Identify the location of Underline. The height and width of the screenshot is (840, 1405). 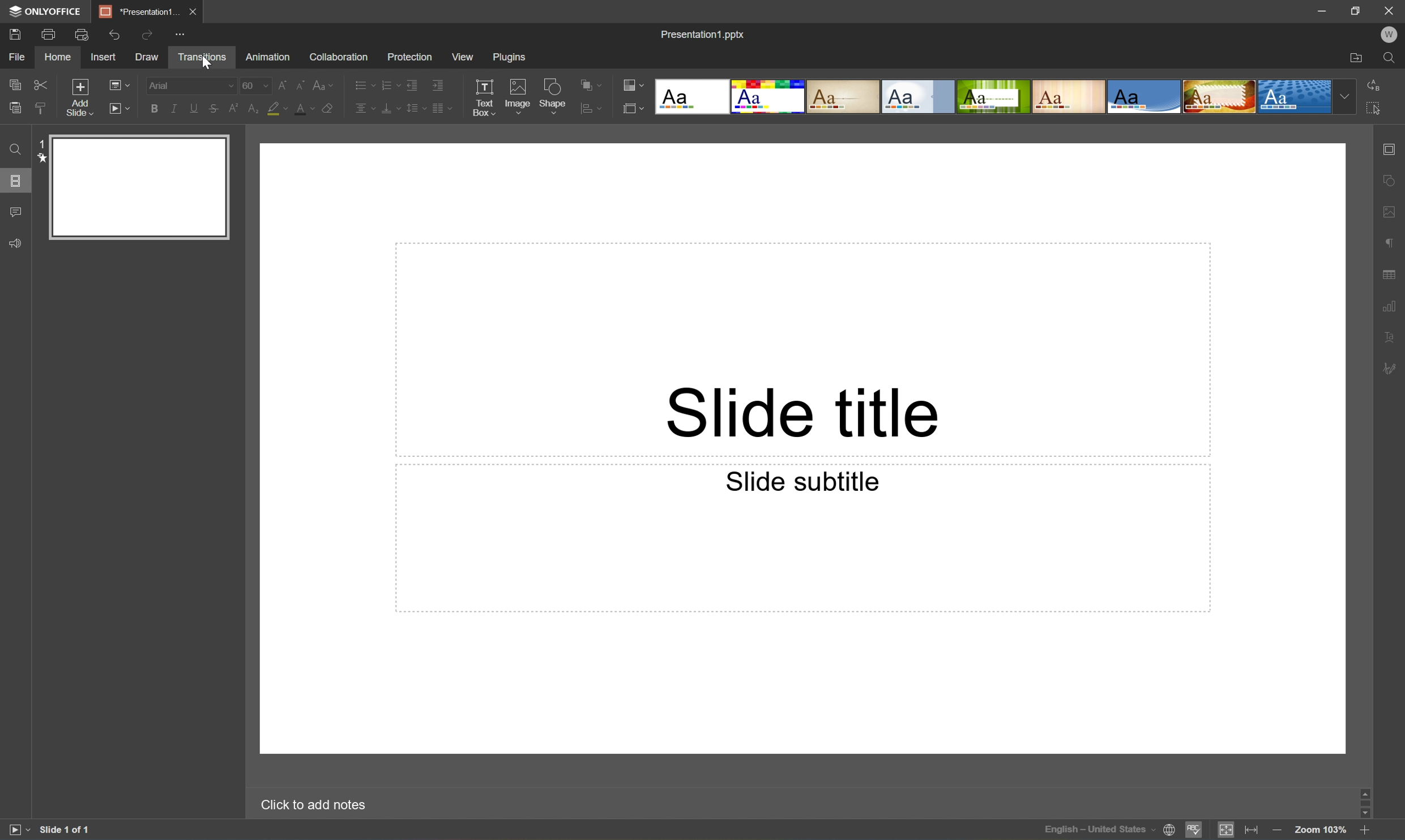
(173, 108).